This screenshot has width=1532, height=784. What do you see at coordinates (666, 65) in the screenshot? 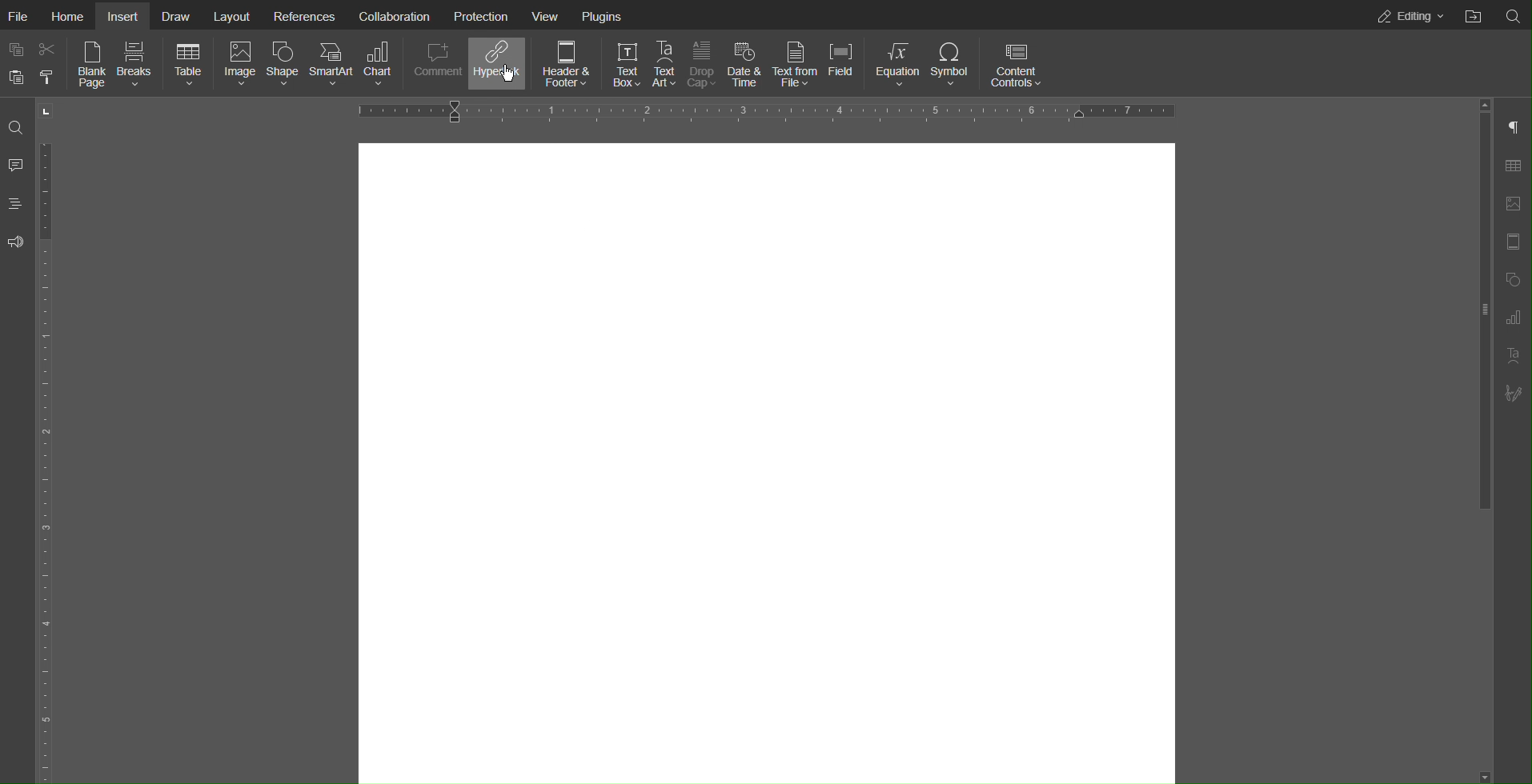
I see `Text Art` at bounding box center [666, 65].